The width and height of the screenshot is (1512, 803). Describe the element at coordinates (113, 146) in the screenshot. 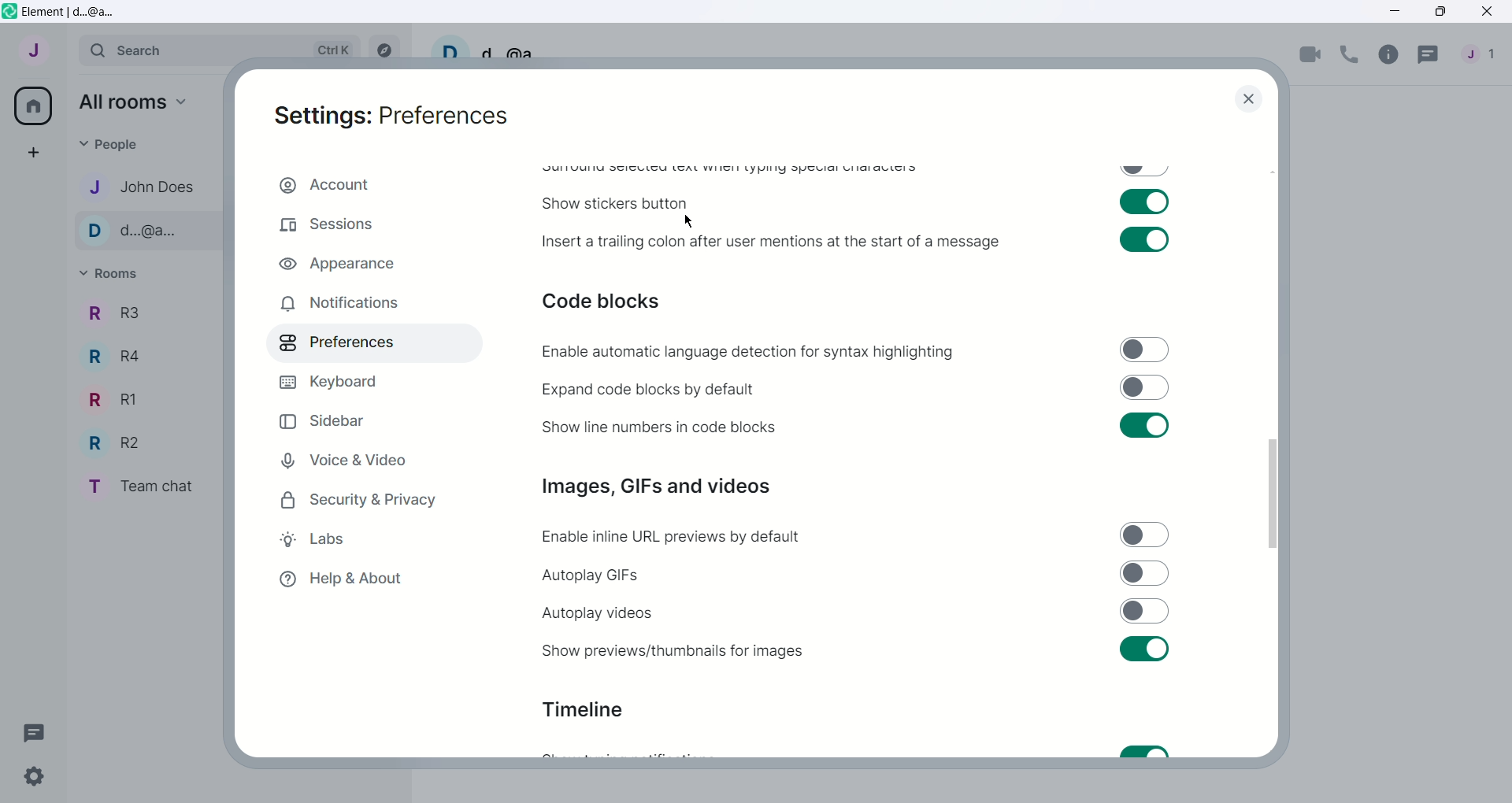

I see `People ` at that location.